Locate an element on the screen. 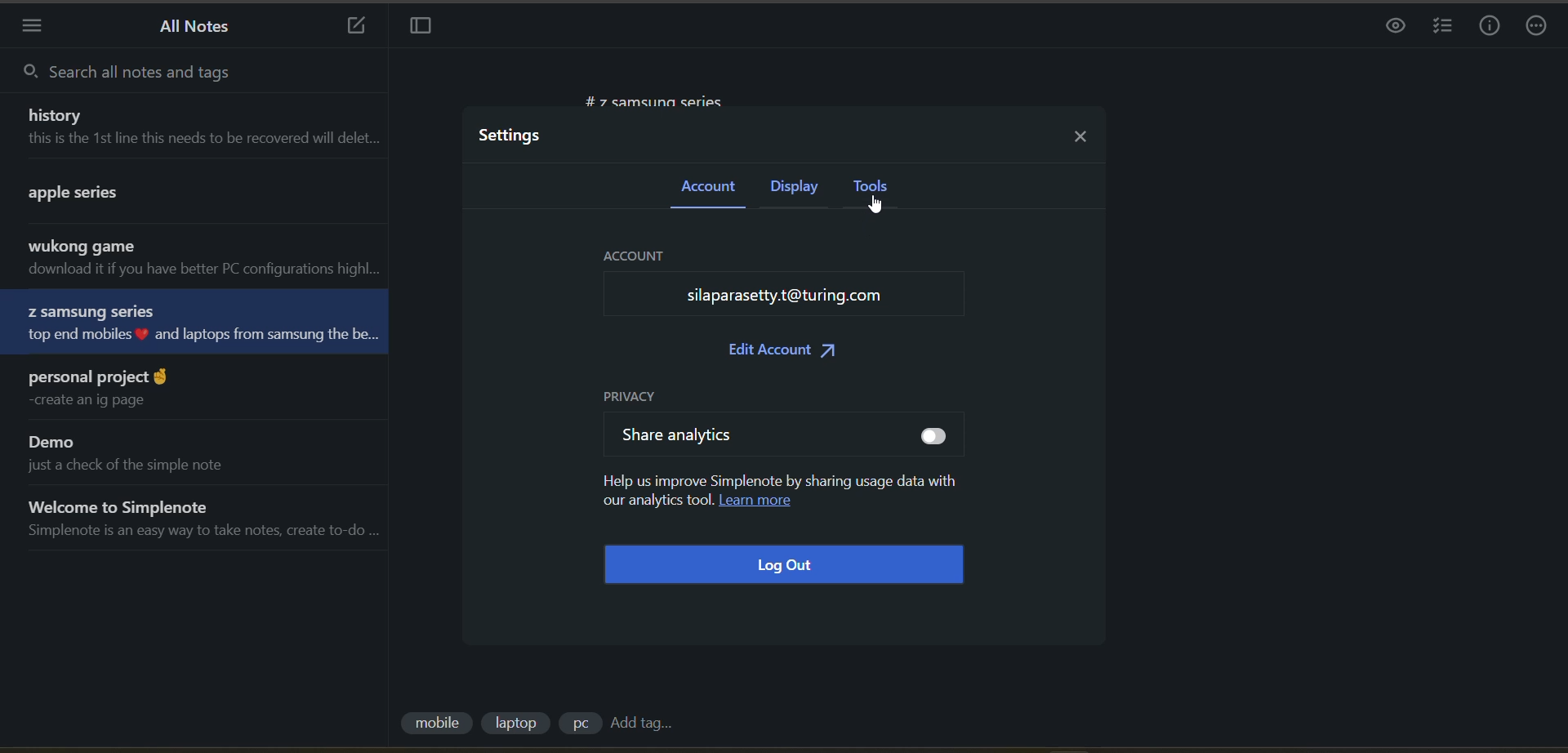 Image resolution: width=1568 pixels, height=753 pixels. tools is located at coordinates (871, 185).